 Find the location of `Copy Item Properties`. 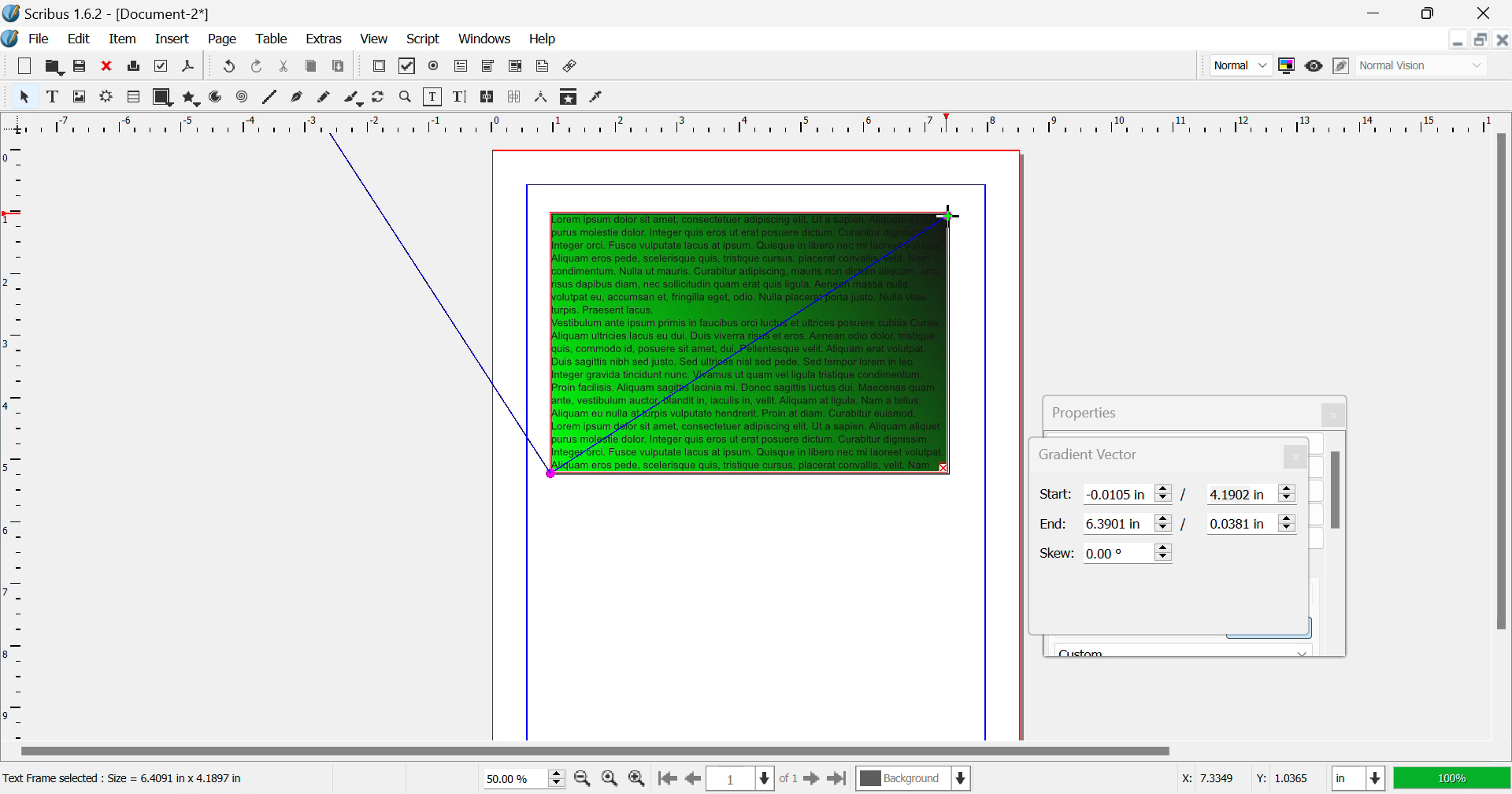

Copy Item Properties is located at coordinates (570, 96).